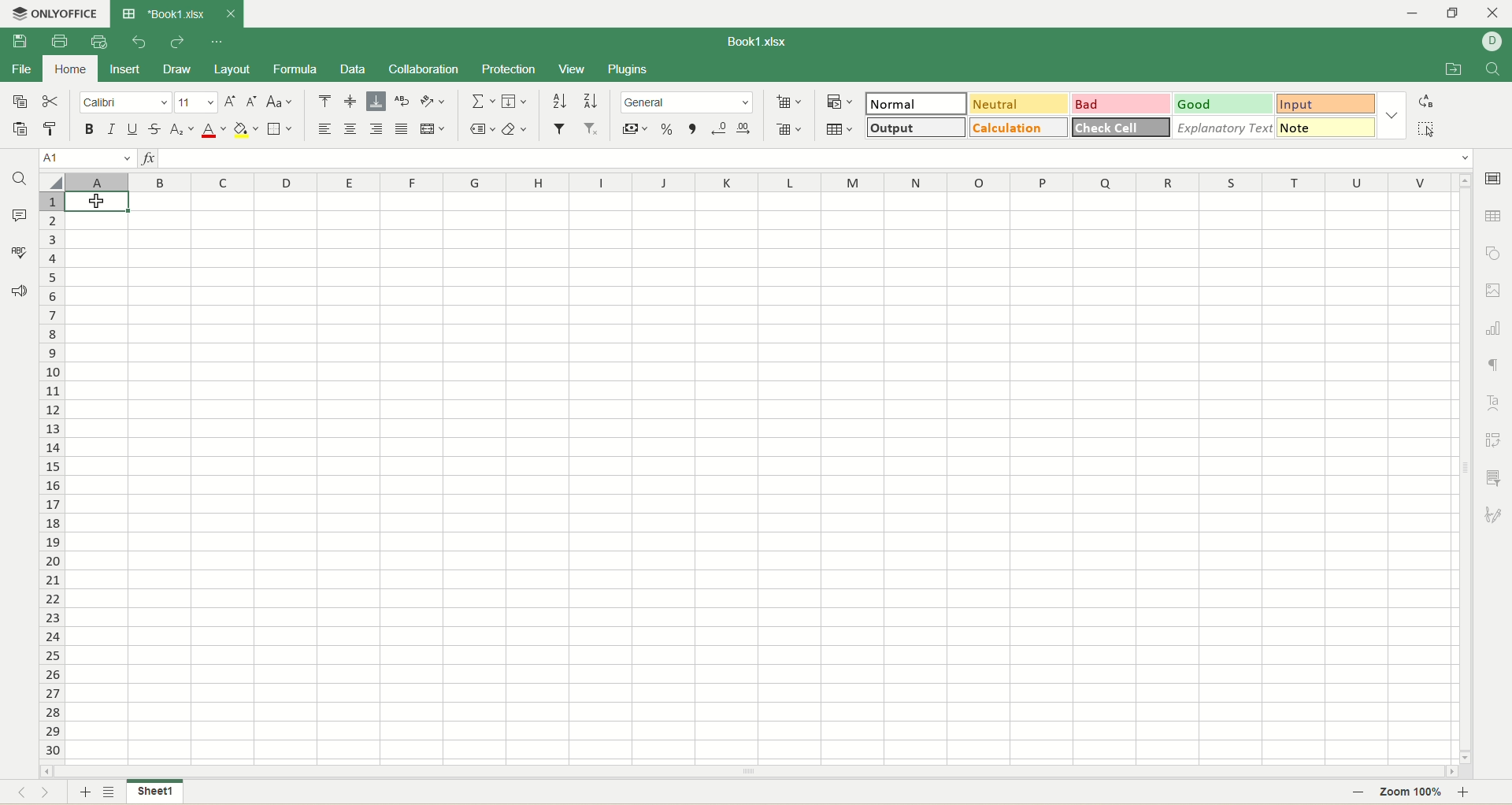 The height and width of the screenshot is (805, 1512). What do you see at coordinates (716, 128) in the screenshot?
I see `decrease decimal` at bounding box center [716, 128].